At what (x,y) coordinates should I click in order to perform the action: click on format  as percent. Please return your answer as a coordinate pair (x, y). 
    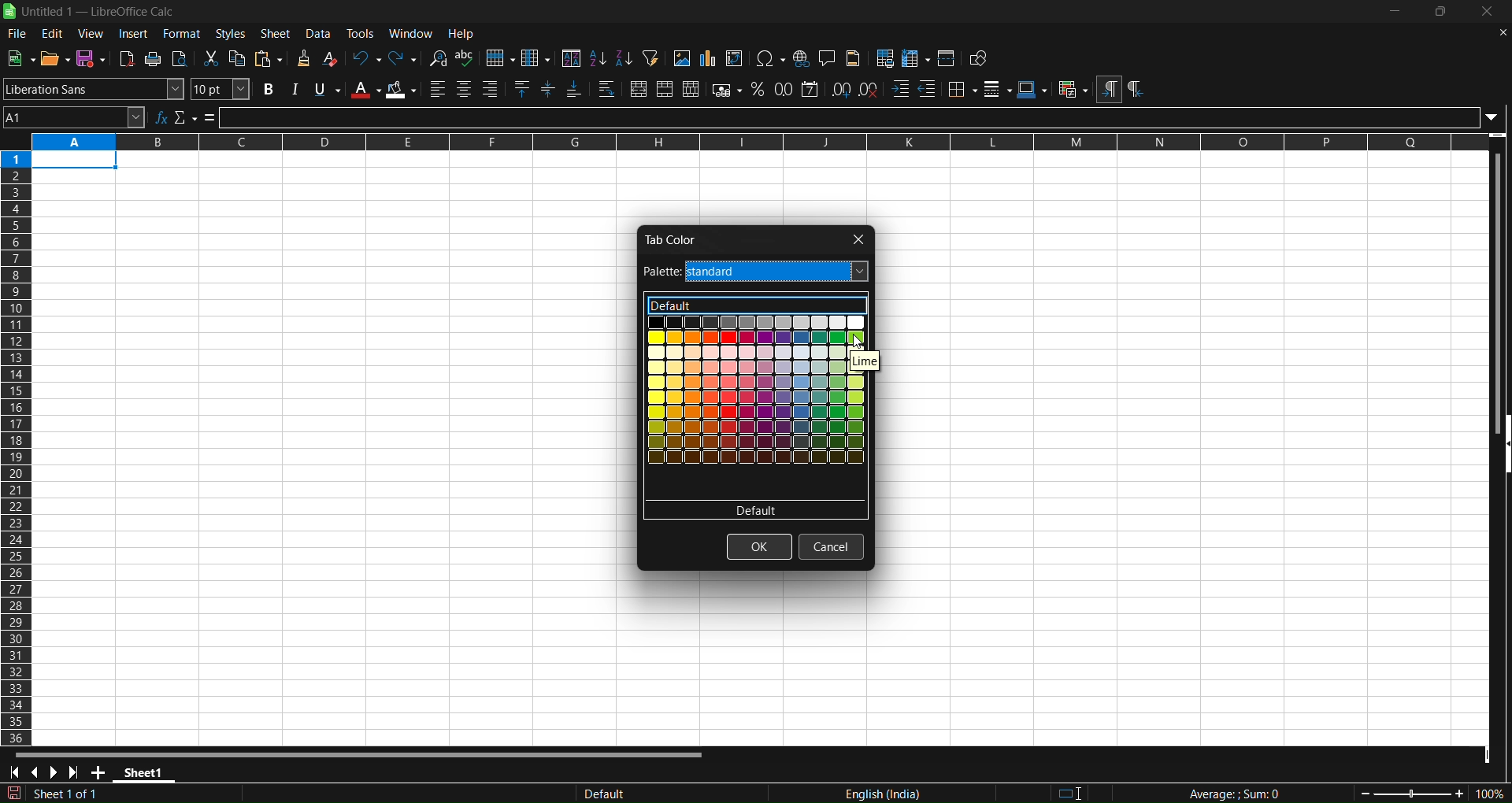
    Looking at the image, I should click on (761, 90).